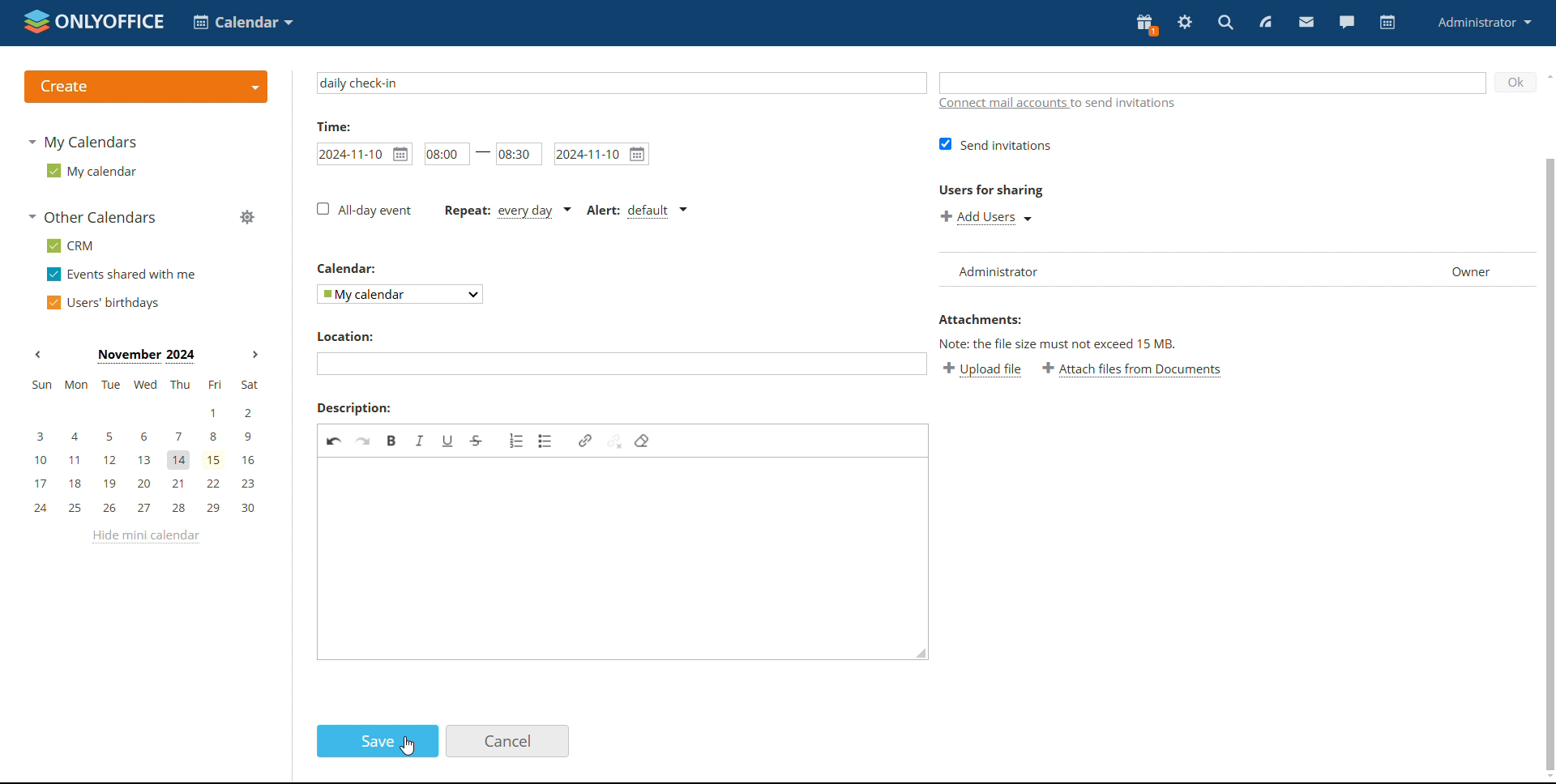 This screenshot has width=1556, height=784. What do you see at coordinates (642, 437) in the screenshot?
I see `remove format` at bounding box center [642, 437].